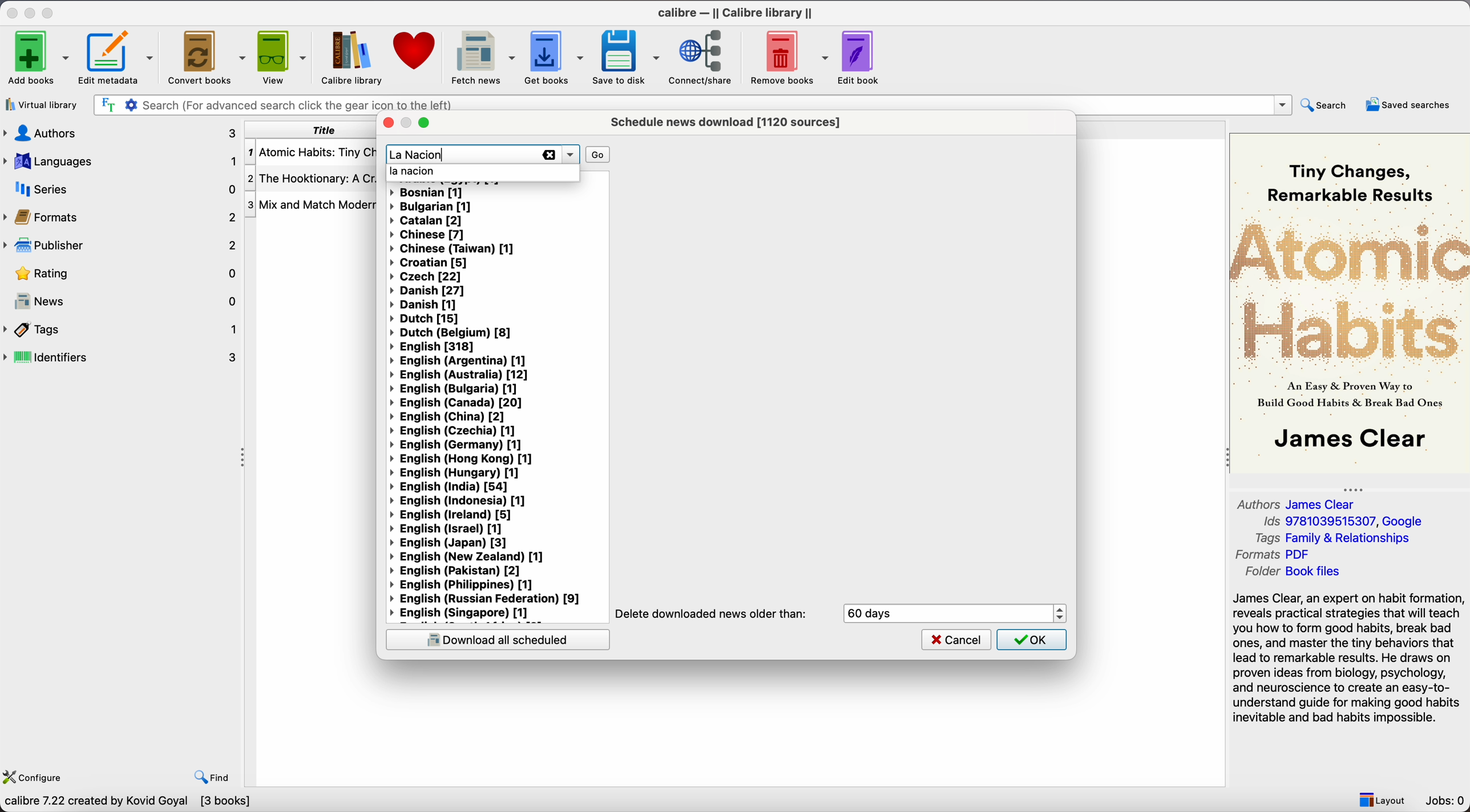 The height and width of the screenshot is (812, 1470). What do you see at coordinates (449, 544) in the screenshot?
I see `English (Japan) [3]` at bounding box center [449, 544].